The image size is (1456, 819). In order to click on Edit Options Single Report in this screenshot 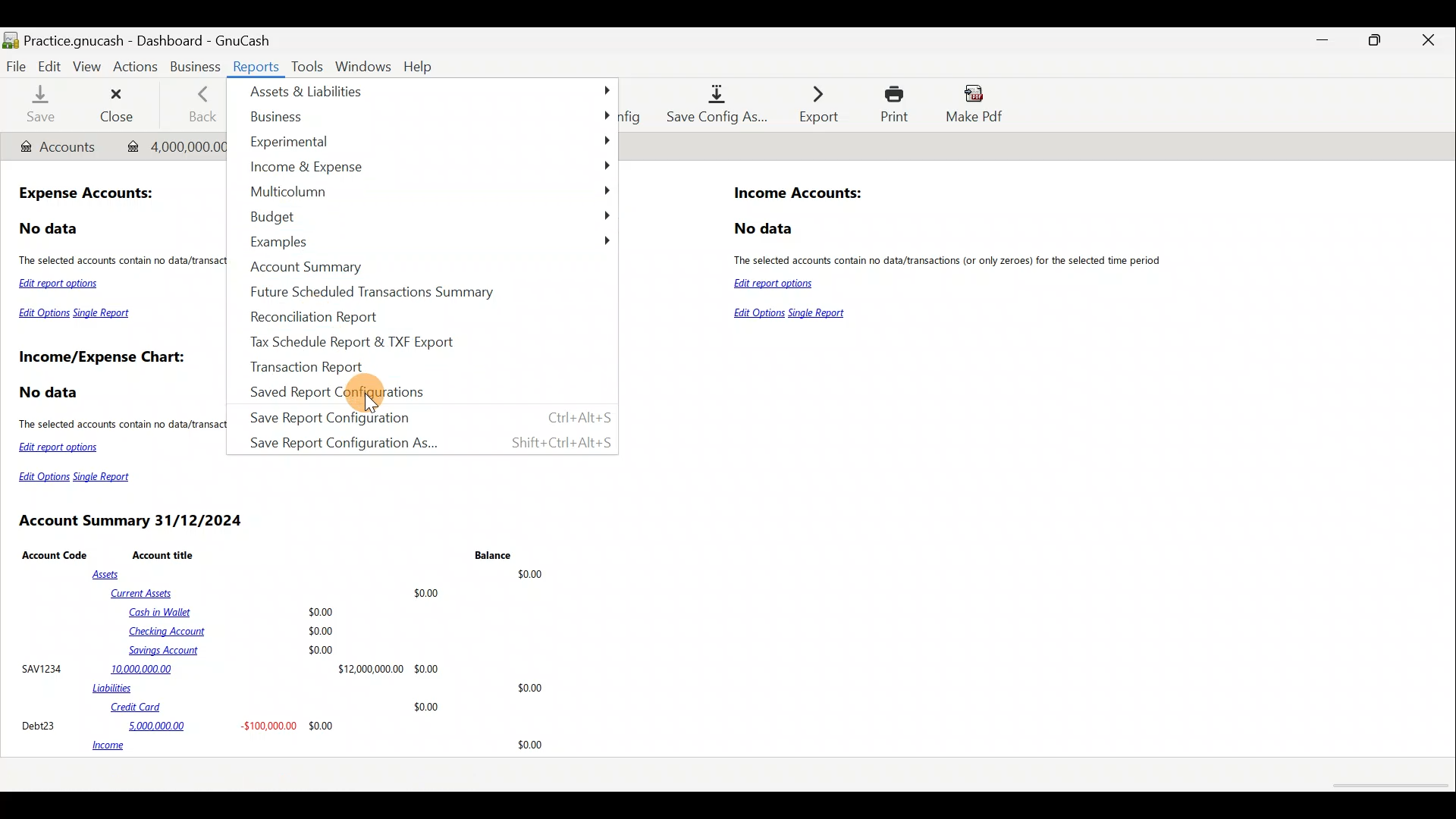, I will do `click(76, 316)`.